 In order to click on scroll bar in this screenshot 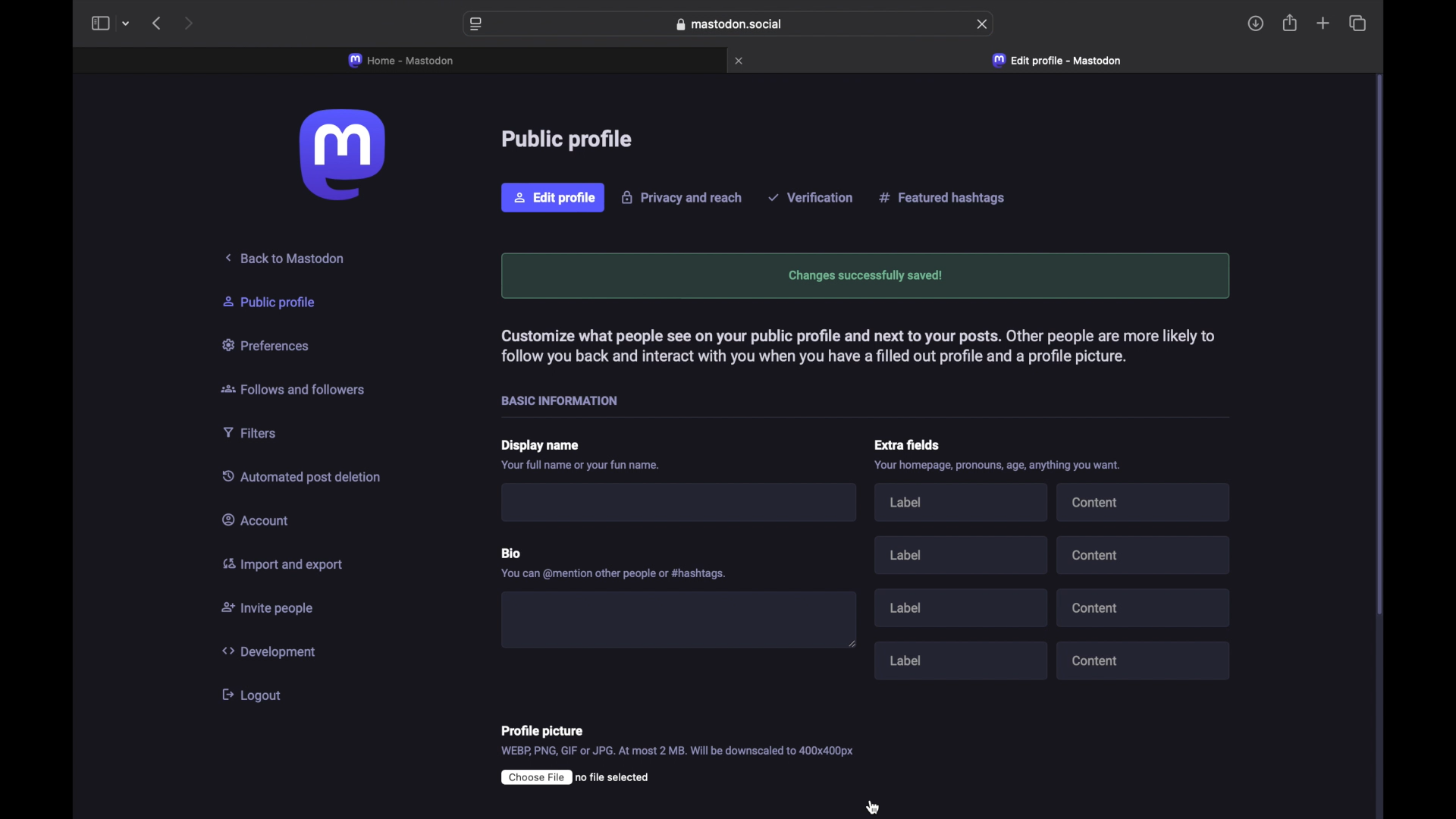, I will do `click(1382, 346)`.